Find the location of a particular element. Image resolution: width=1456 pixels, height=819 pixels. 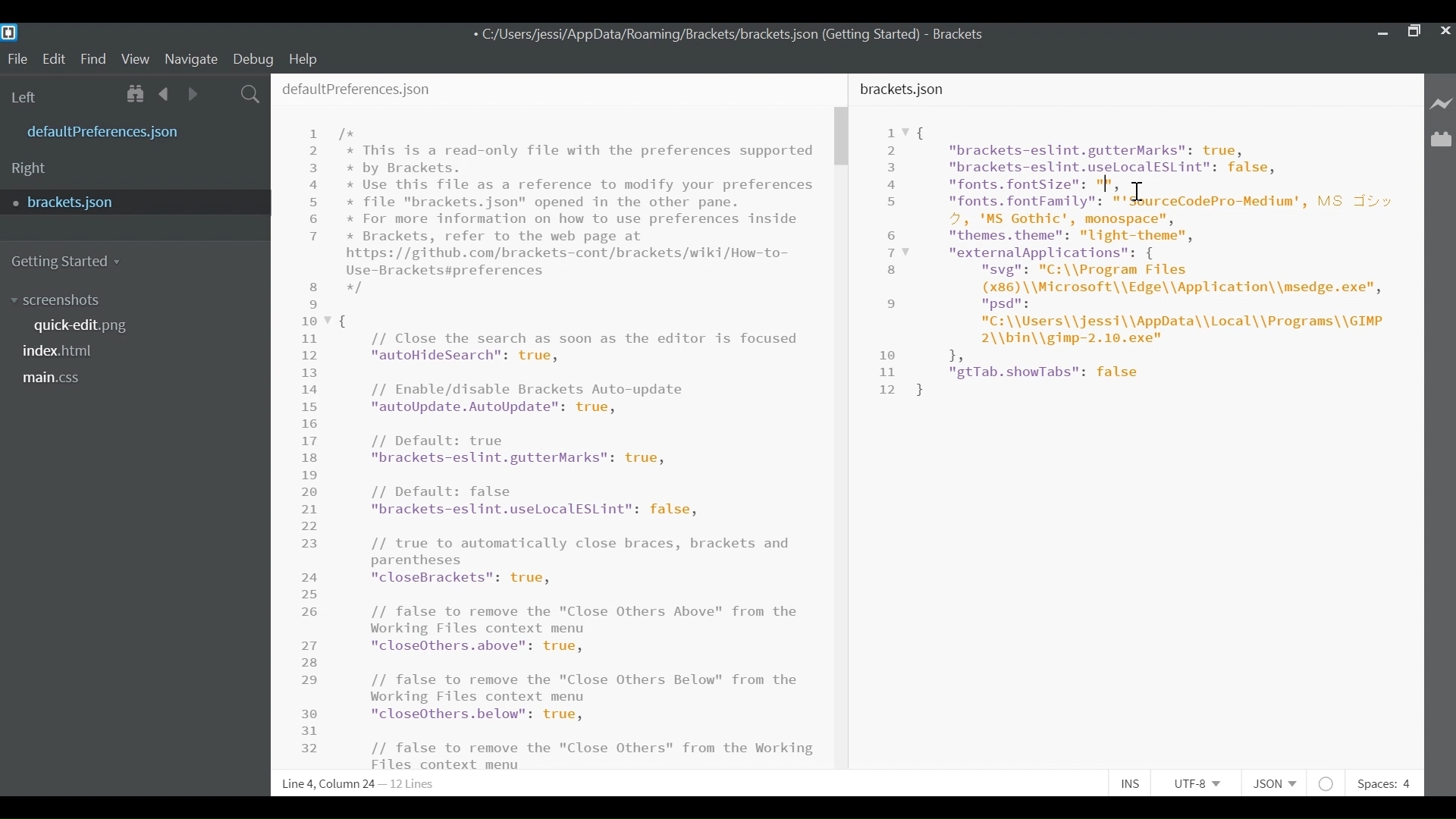

main.css file is located at coordinates (56, 377).